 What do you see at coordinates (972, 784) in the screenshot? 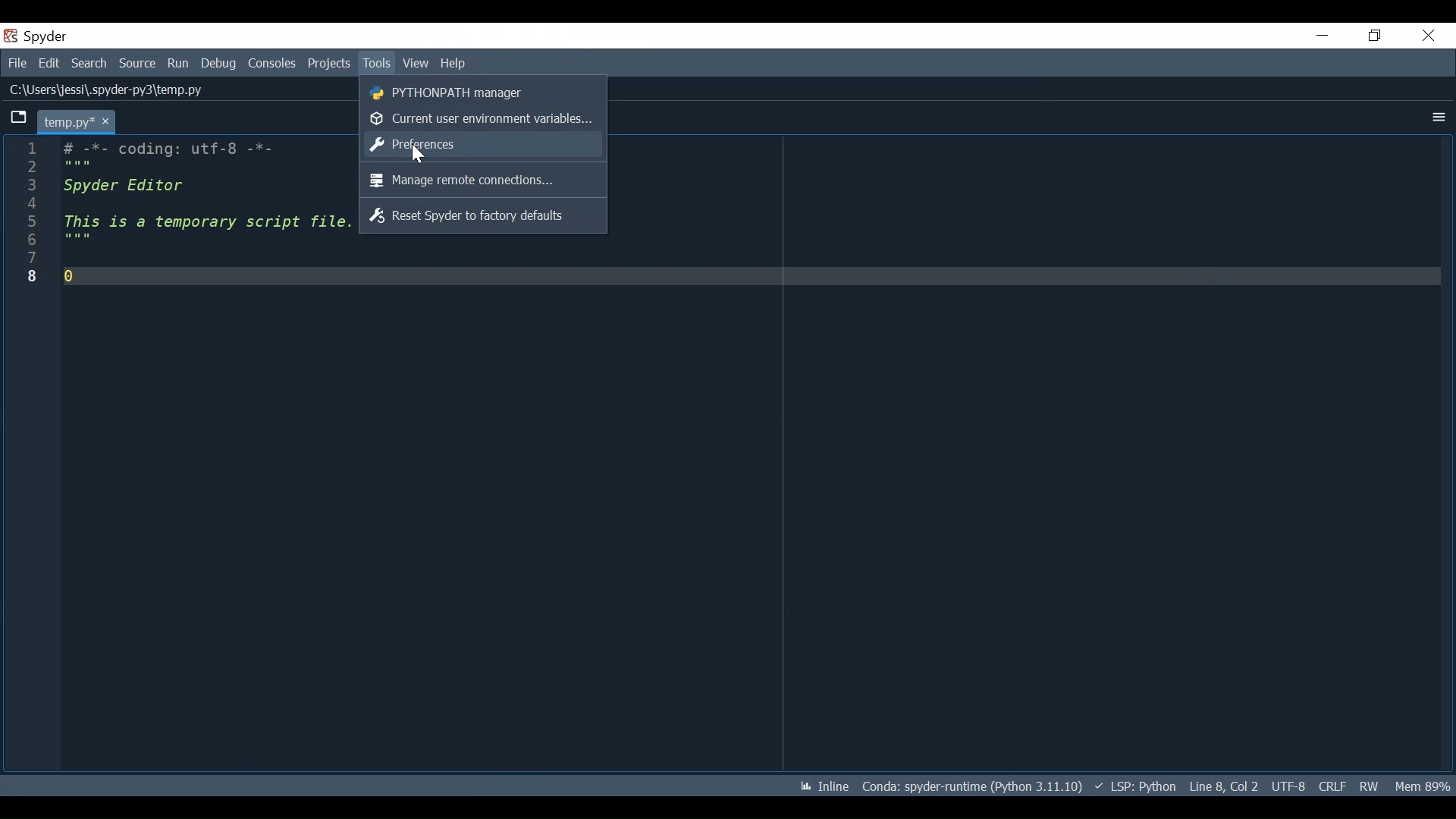
I see `Conda Environment Indicator` at bounding box center [972, 784].